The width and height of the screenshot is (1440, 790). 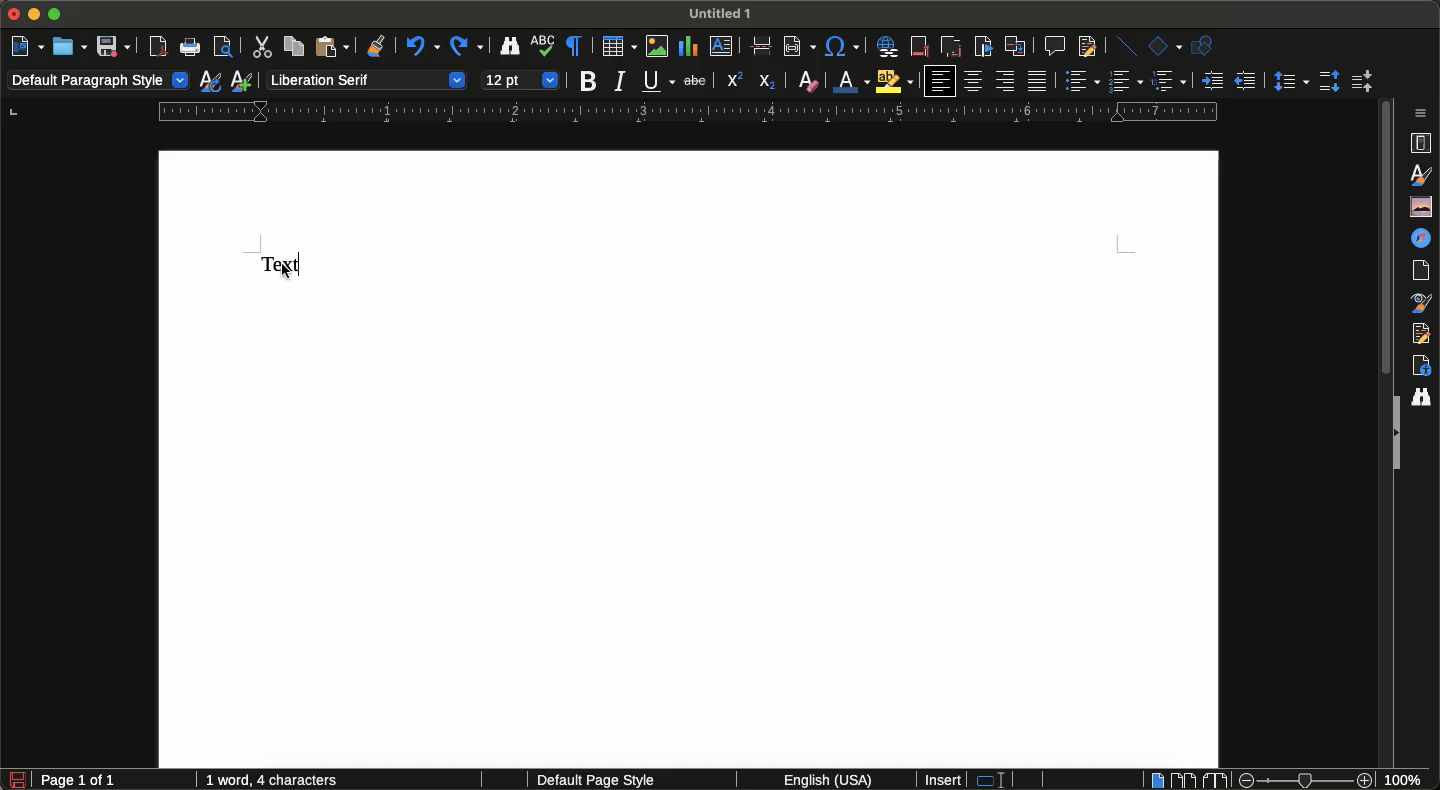 I want to click on Subscript, so click(x=768, y=82).